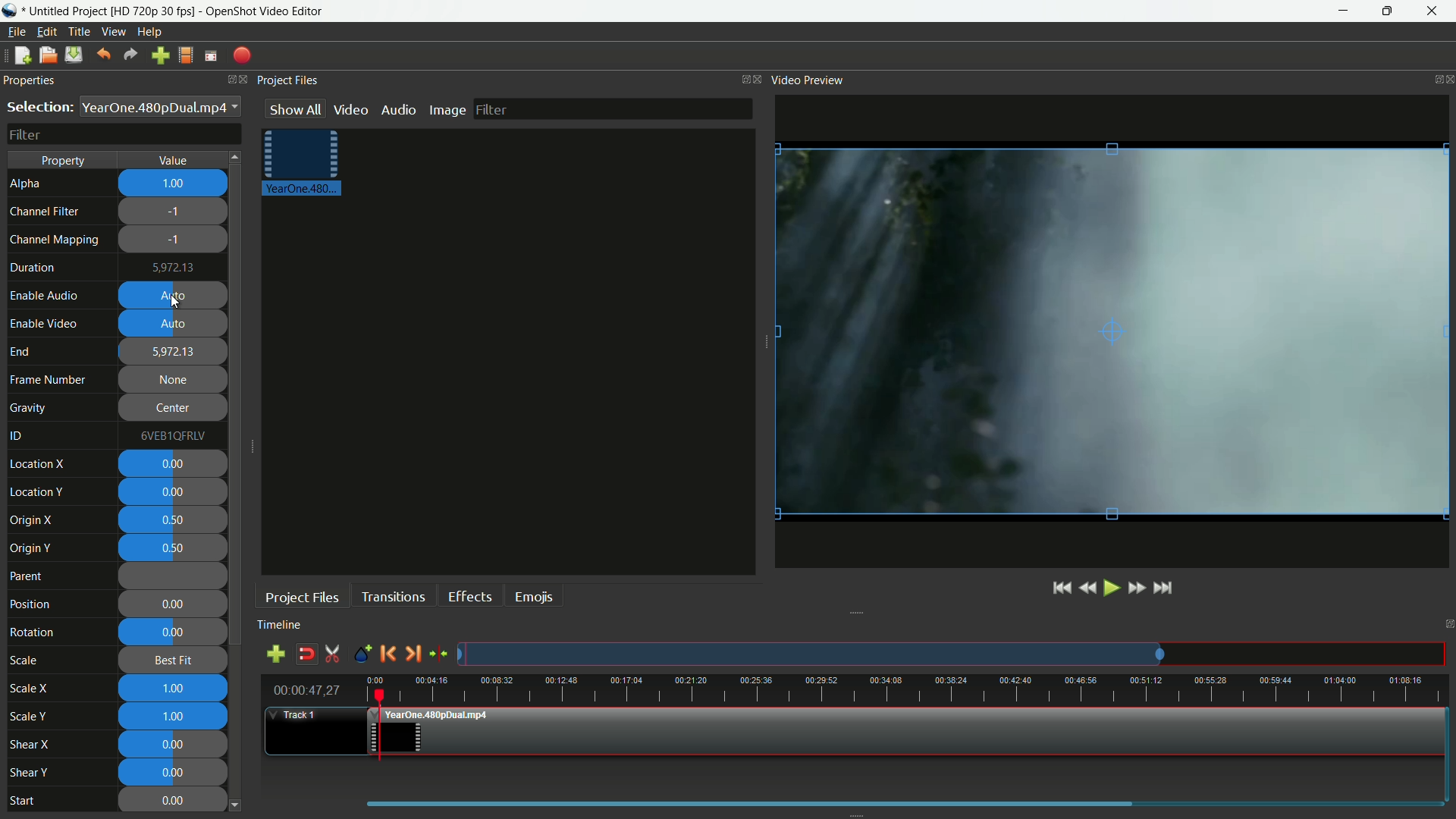  What do you see at coordinates (172, 605) in the screenshot?
I see `0.00` at bounding box center [172, 605].